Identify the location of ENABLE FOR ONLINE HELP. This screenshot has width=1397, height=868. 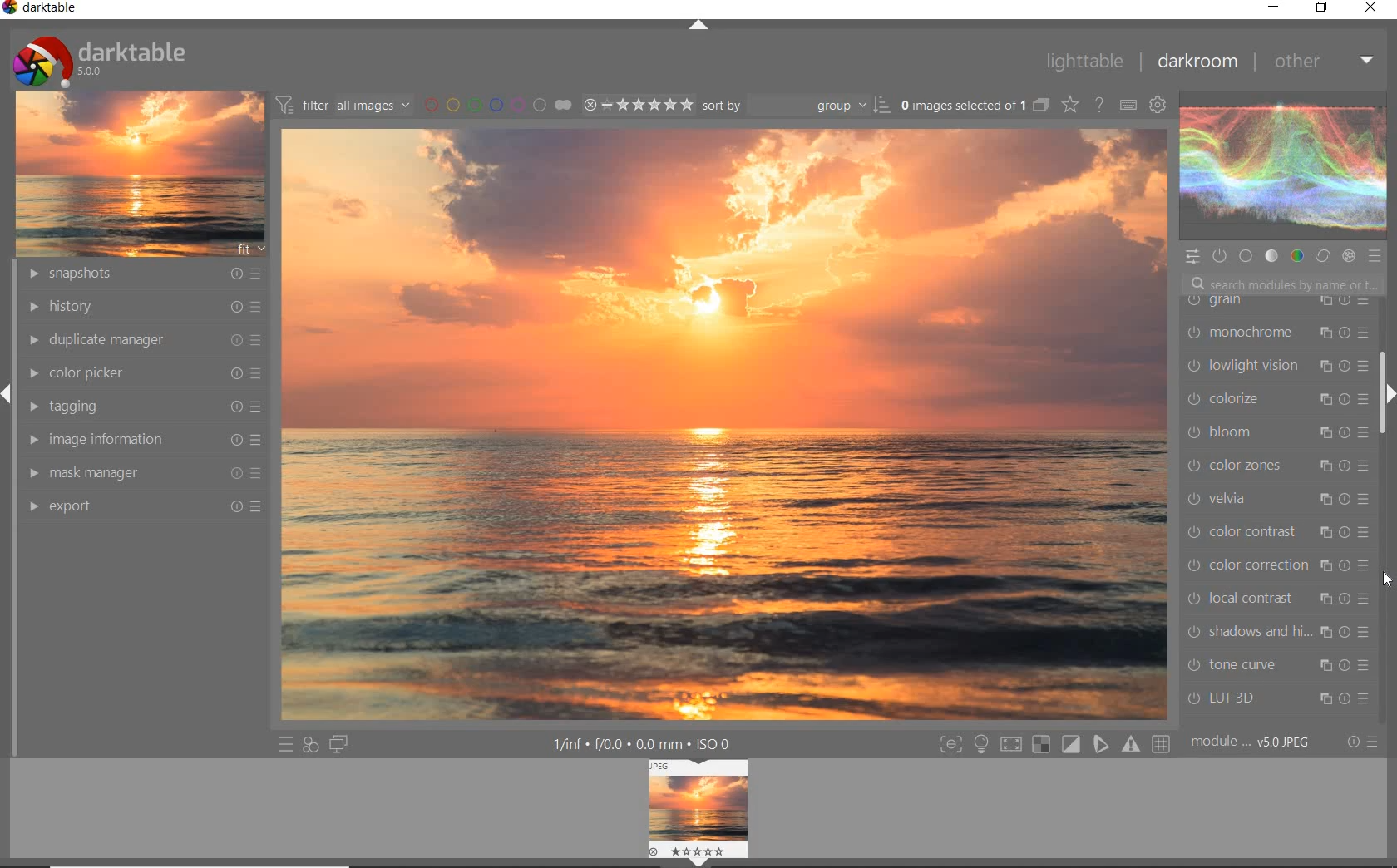
(1102, 104).